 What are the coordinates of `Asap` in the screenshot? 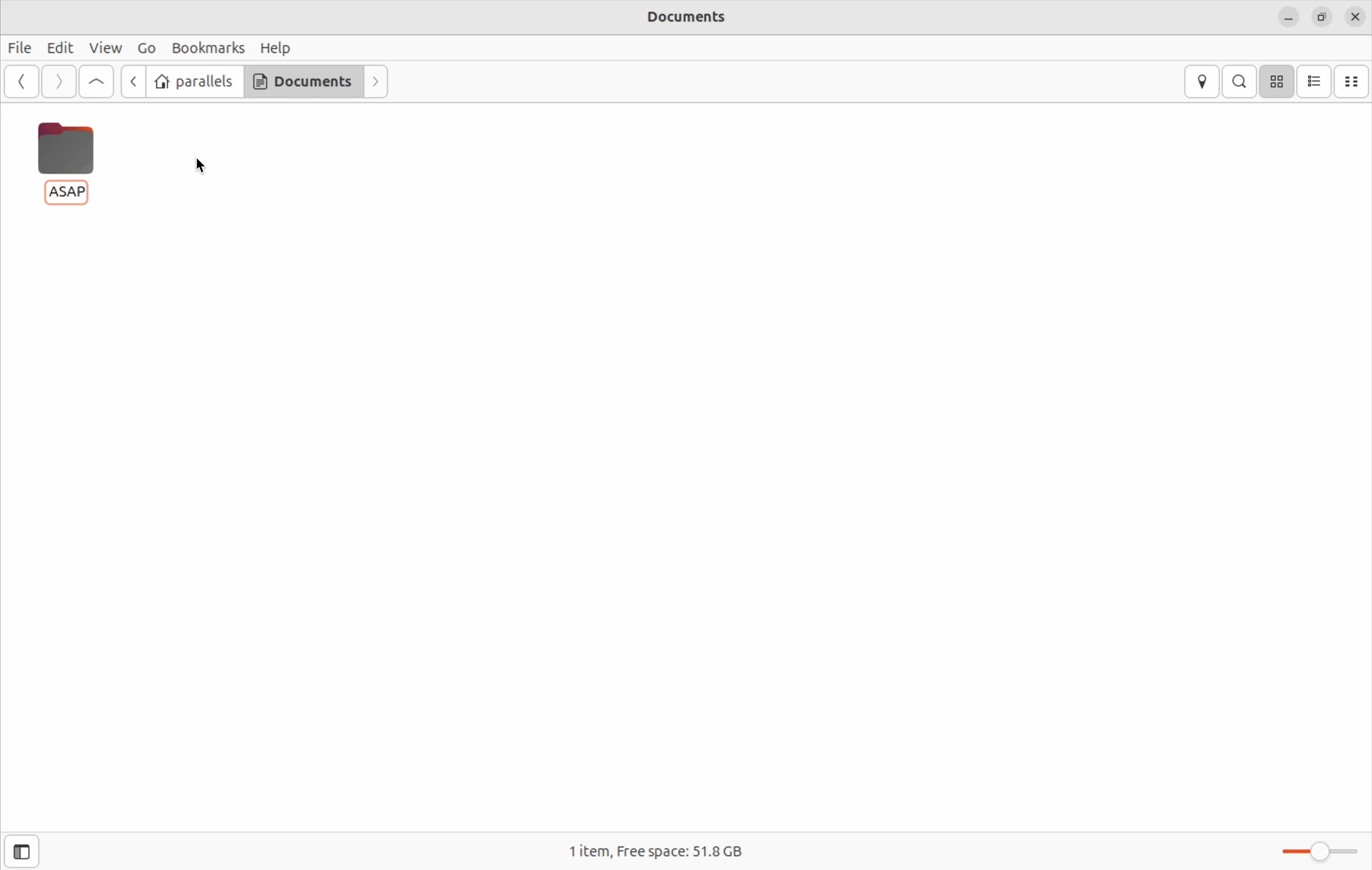 It's located at (64, 159).